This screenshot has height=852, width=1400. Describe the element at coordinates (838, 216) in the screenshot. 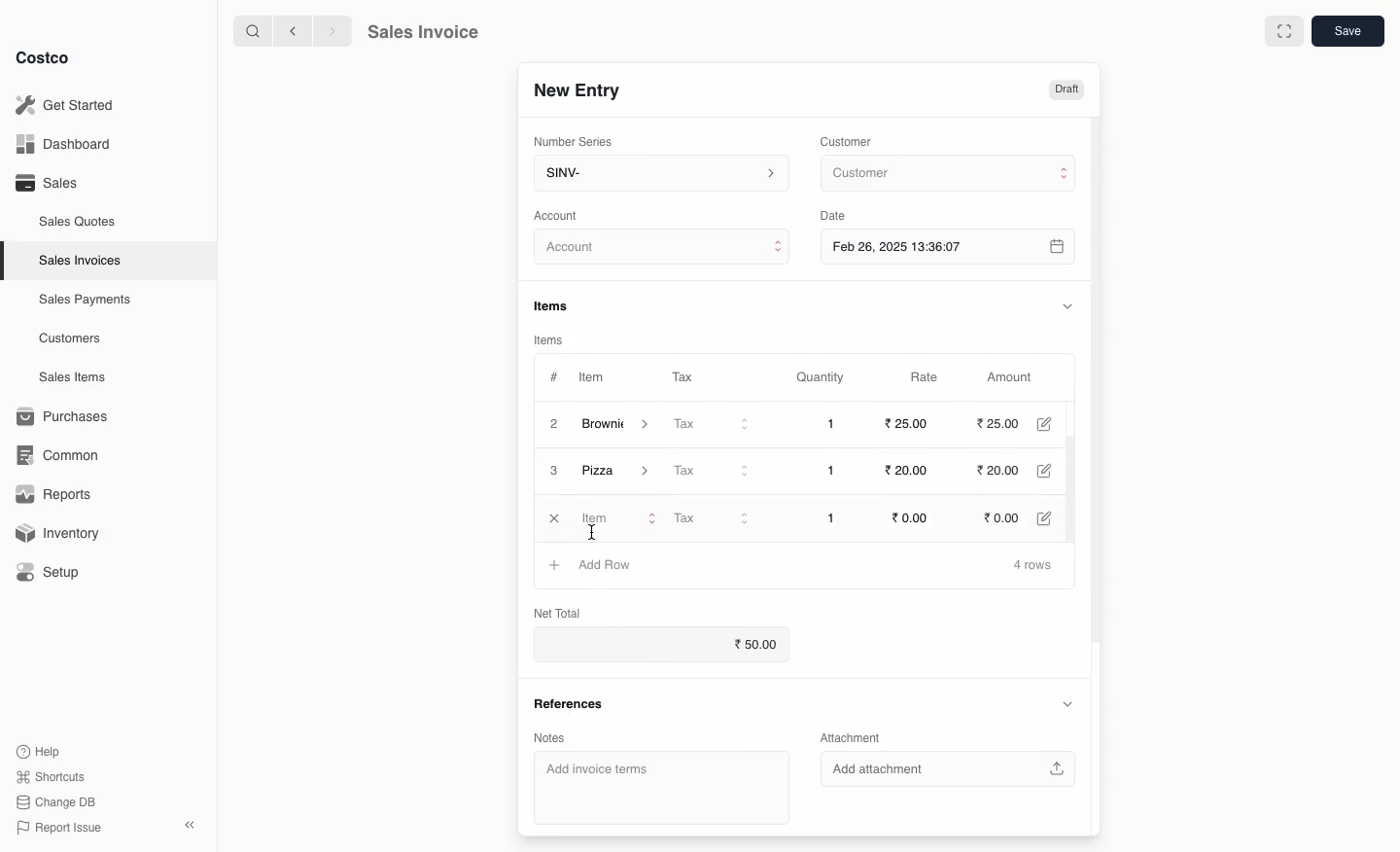

I see `Date` at that location.